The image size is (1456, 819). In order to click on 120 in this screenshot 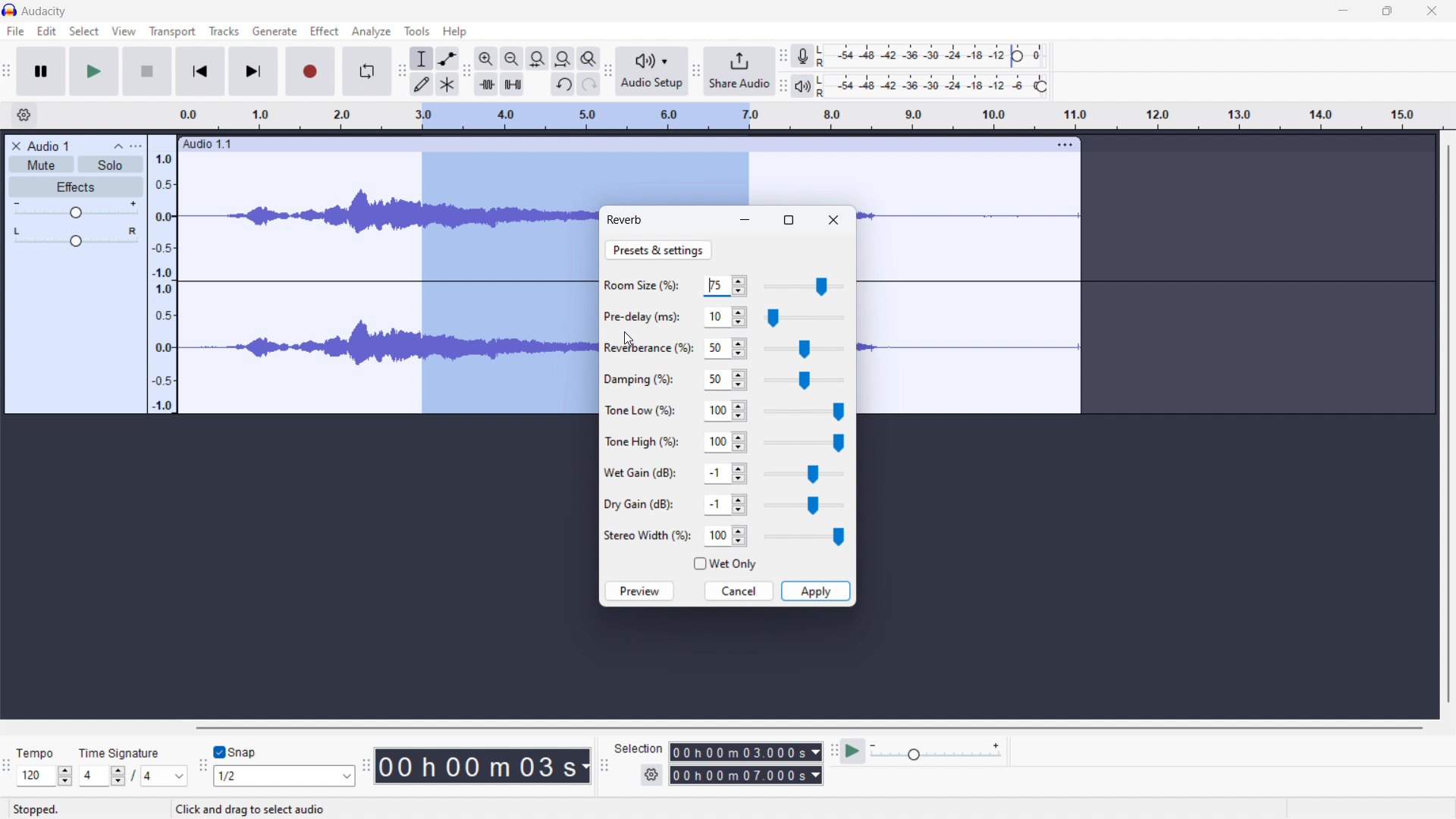, I will do `click(45, 776)`.